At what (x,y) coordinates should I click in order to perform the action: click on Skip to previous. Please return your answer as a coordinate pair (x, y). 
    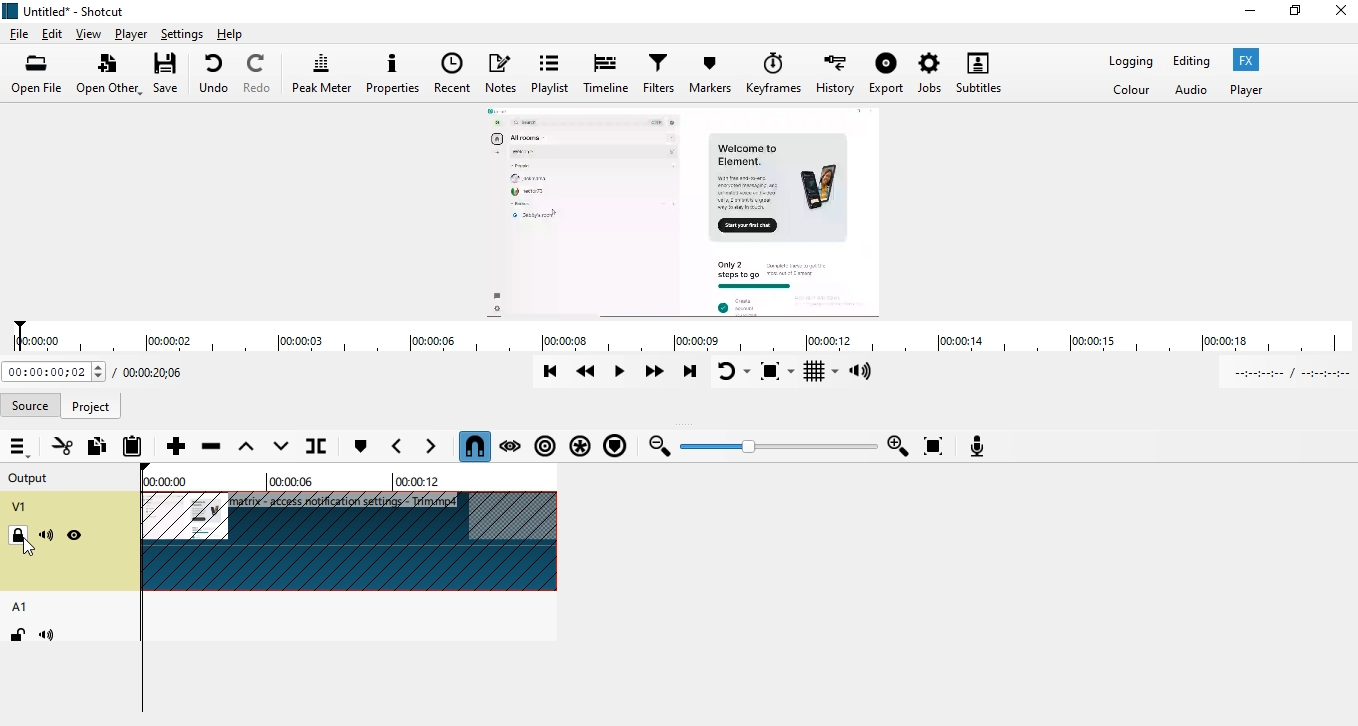
    Looking at the image, I should click on (549, 370).